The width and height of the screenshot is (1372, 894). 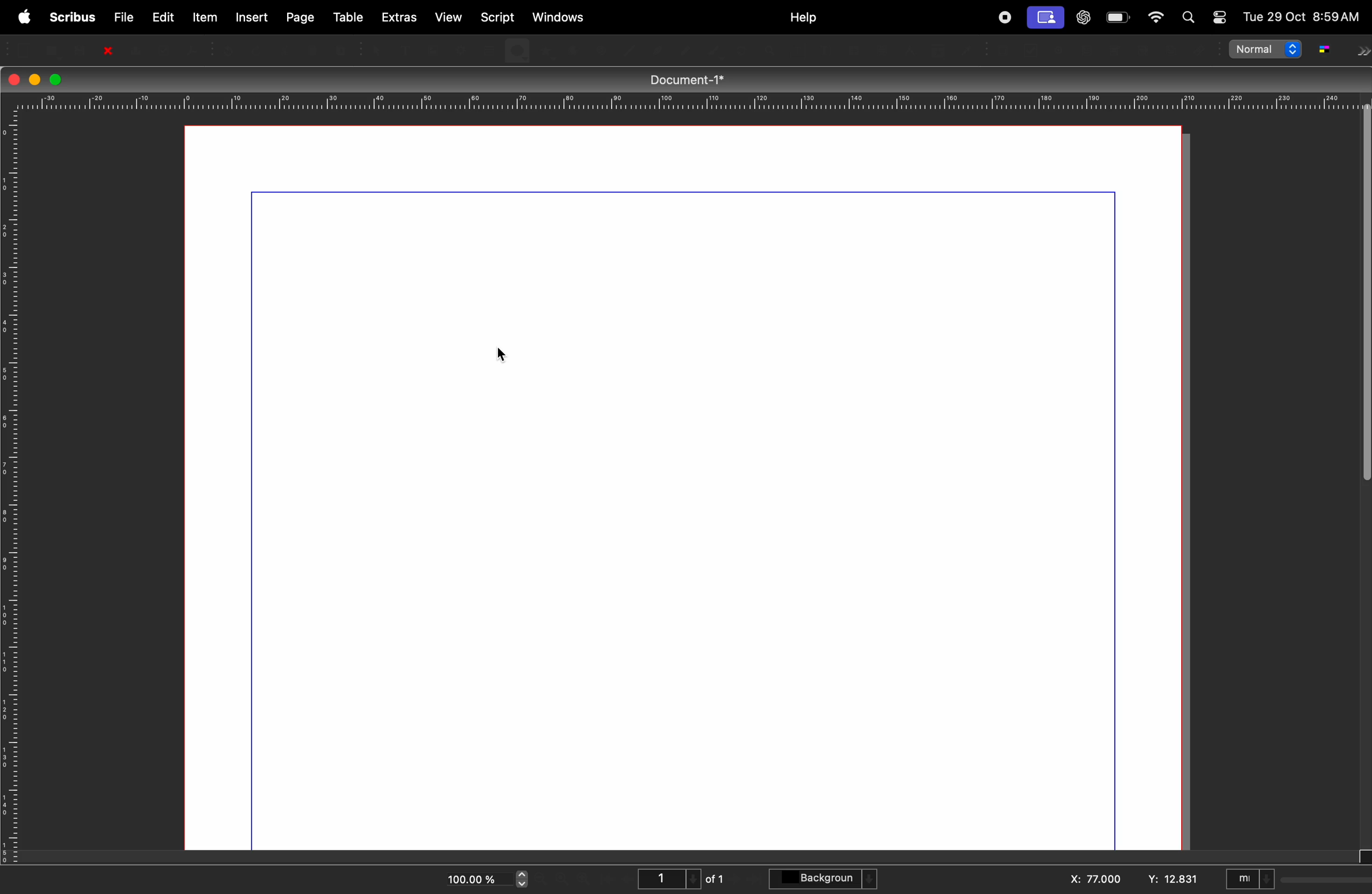 What do you see at coordinates (1173, 51) in the screenshot?
I see `Text annotation` at bounding box center [1173, 51].